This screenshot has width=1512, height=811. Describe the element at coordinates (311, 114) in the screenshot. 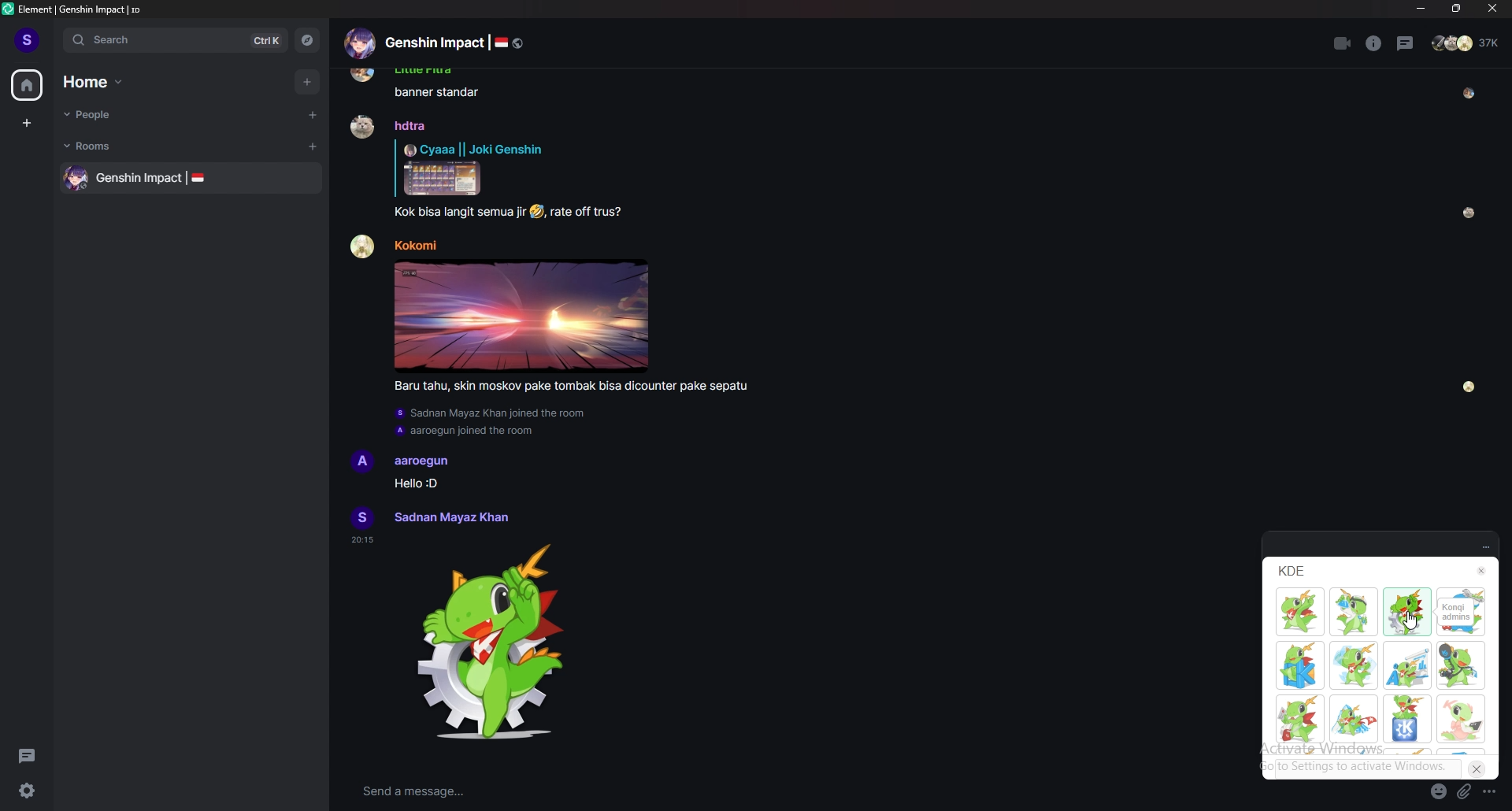

I see `start chat` at that location.